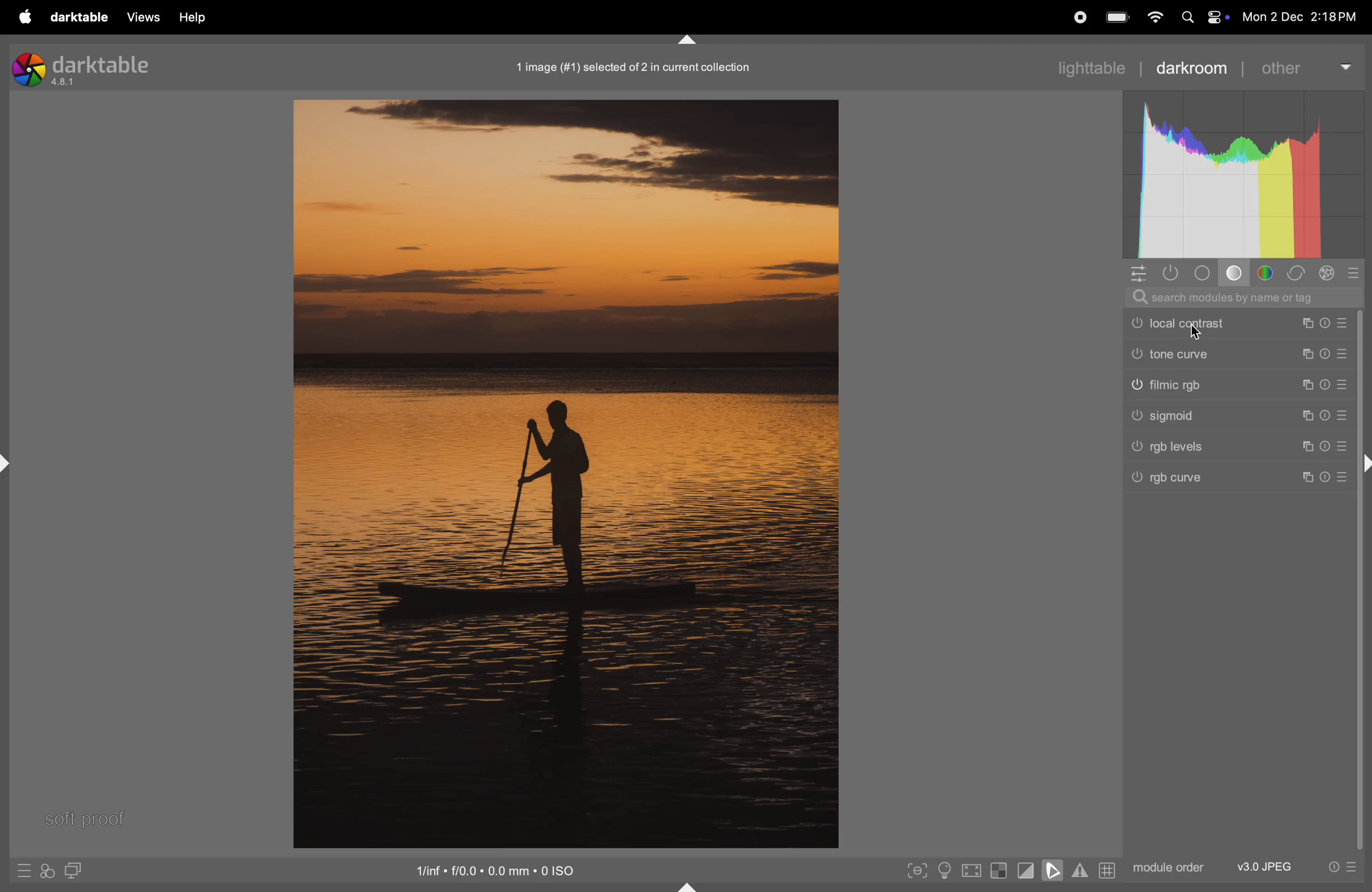 Image resolution: width=1372 pixels, height=892 pixels. What do you see at coordinates (19, 868) in the screenshot?
I see `quick access to presets` at bounding box center [19, 868].